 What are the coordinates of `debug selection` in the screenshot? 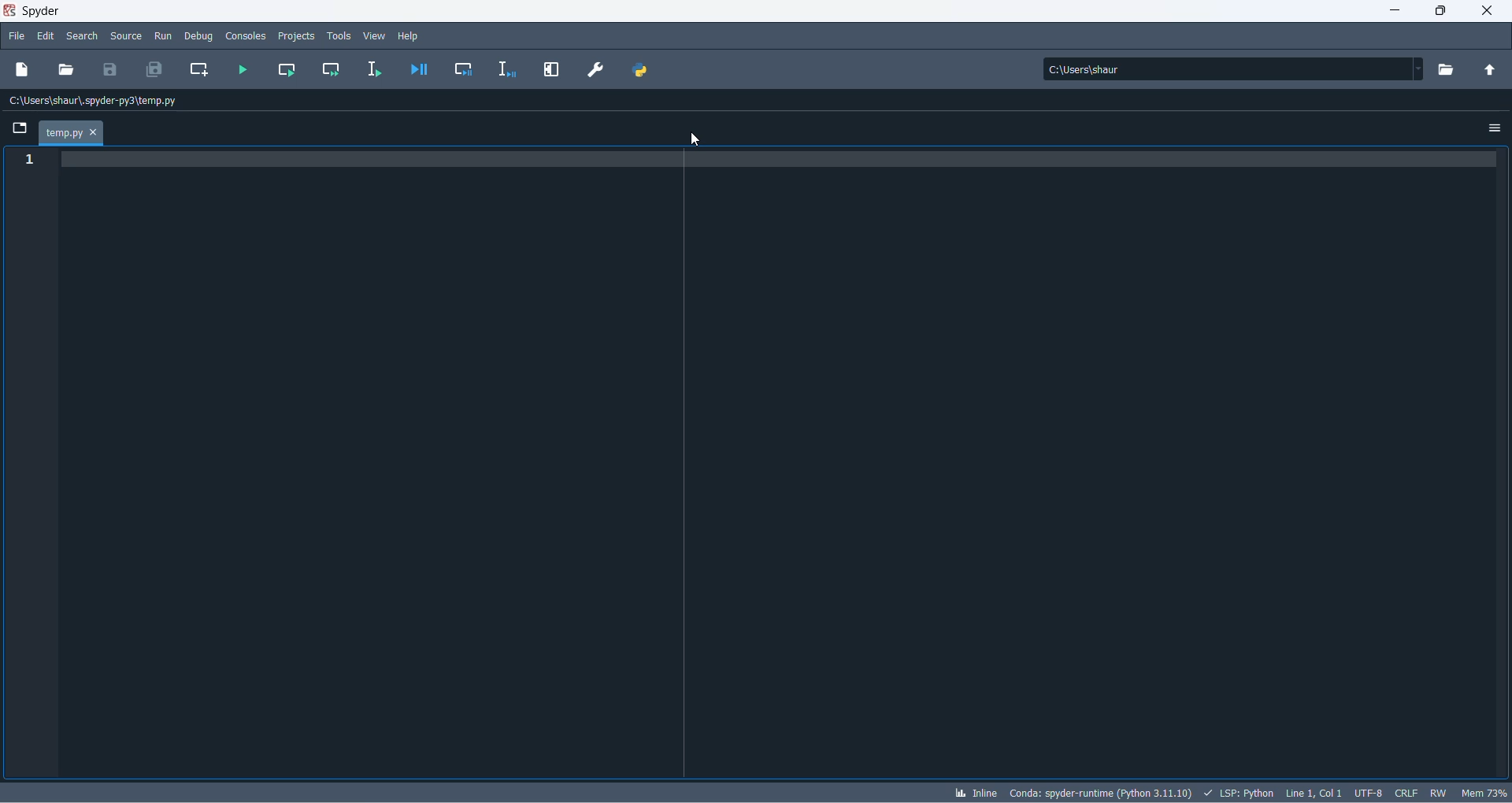 It's located at (509, 71).